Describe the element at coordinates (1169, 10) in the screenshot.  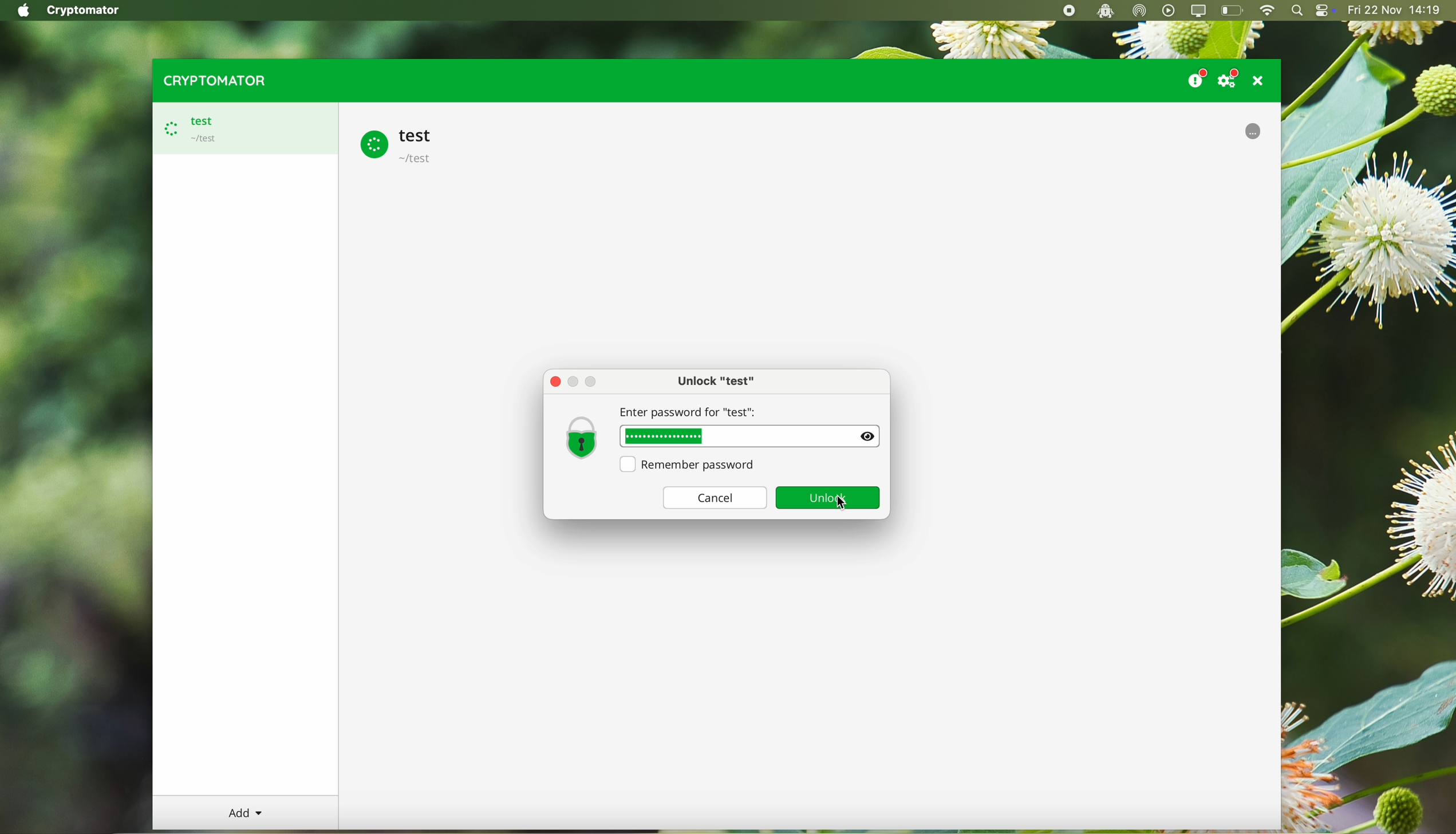
I see `play` at that location.